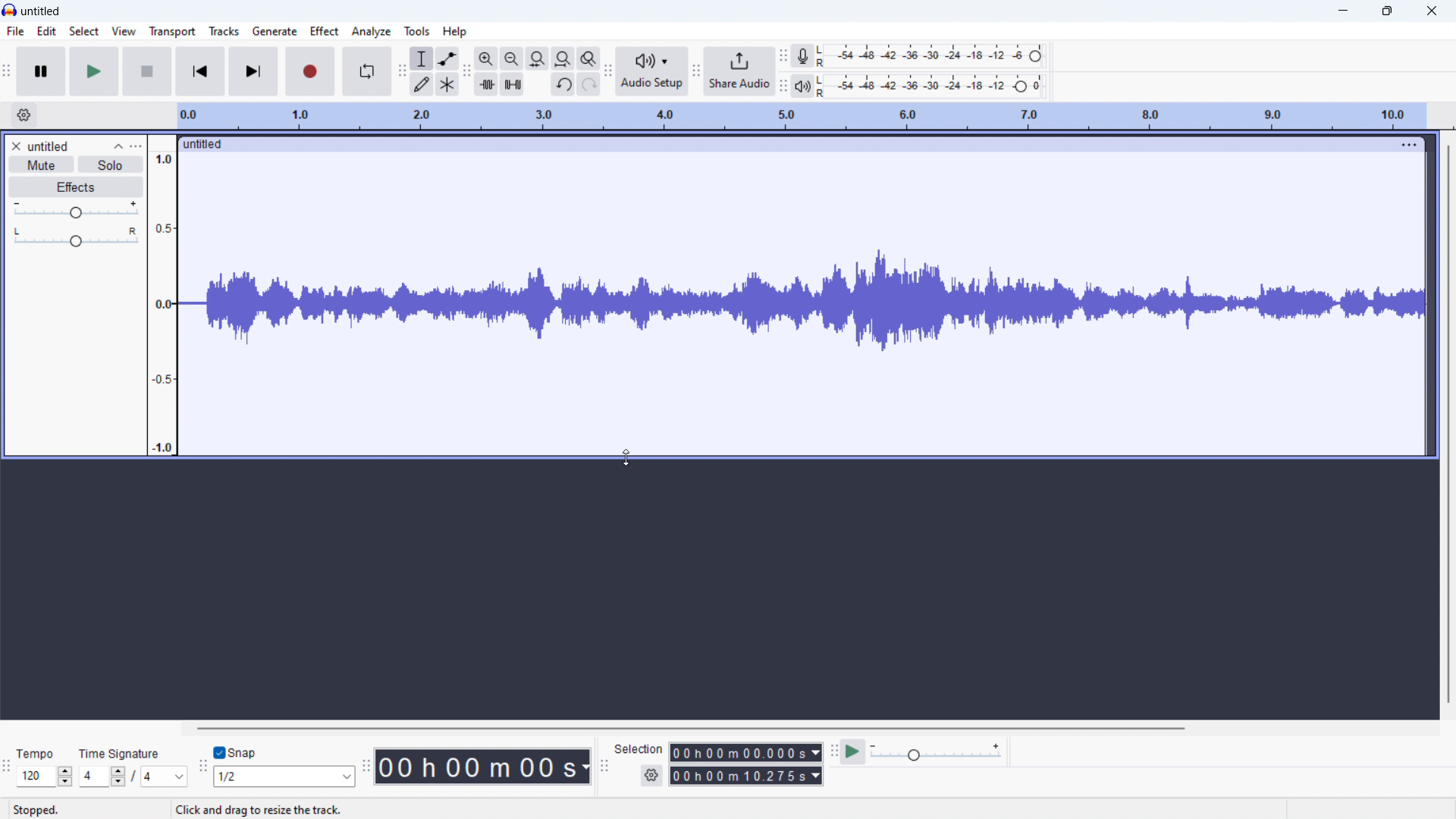 This screenshot has height=819, width=1456. What do you see at coordinates (783, 86) in the screenshot?
I see `playback meter toolbar` at bounding box center [783, 86].